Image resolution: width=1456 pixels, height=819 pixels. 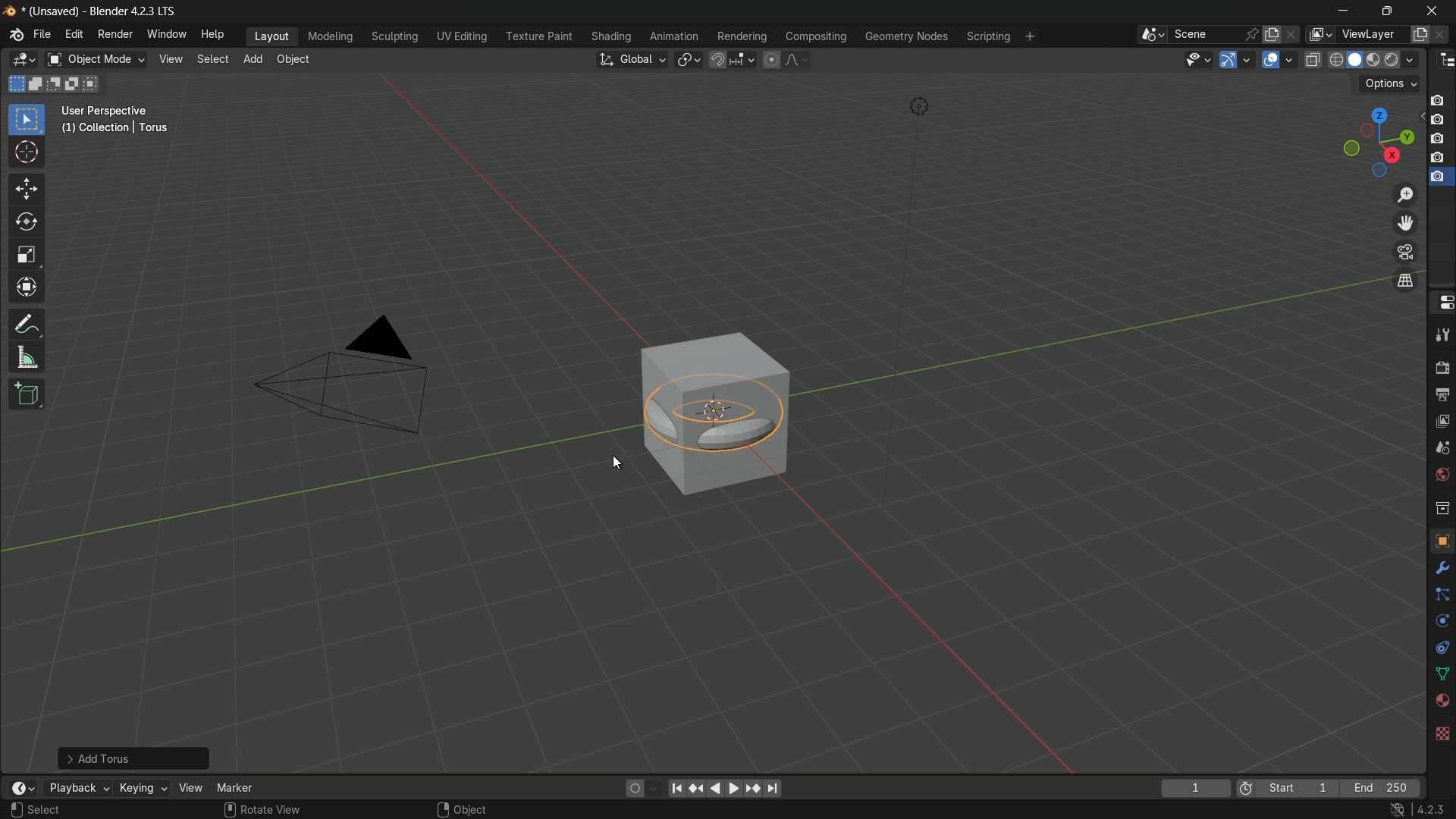 What do you see at coordinates (755, 789) in the screenshot?
I see `jump to keyframe` at bounding box center [755, 789].